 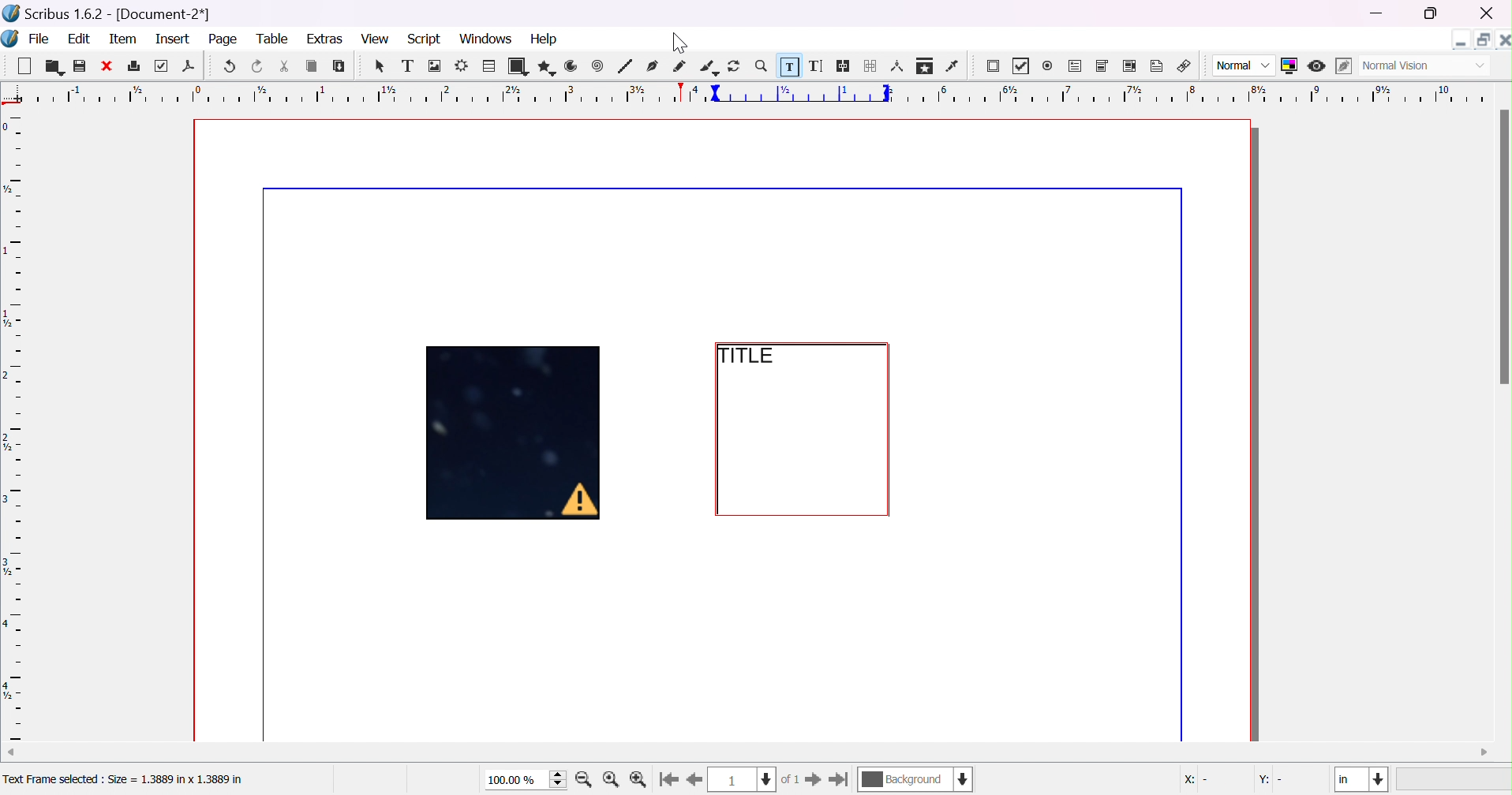 I want to click on scroll right, so click(x=1485, y=752).